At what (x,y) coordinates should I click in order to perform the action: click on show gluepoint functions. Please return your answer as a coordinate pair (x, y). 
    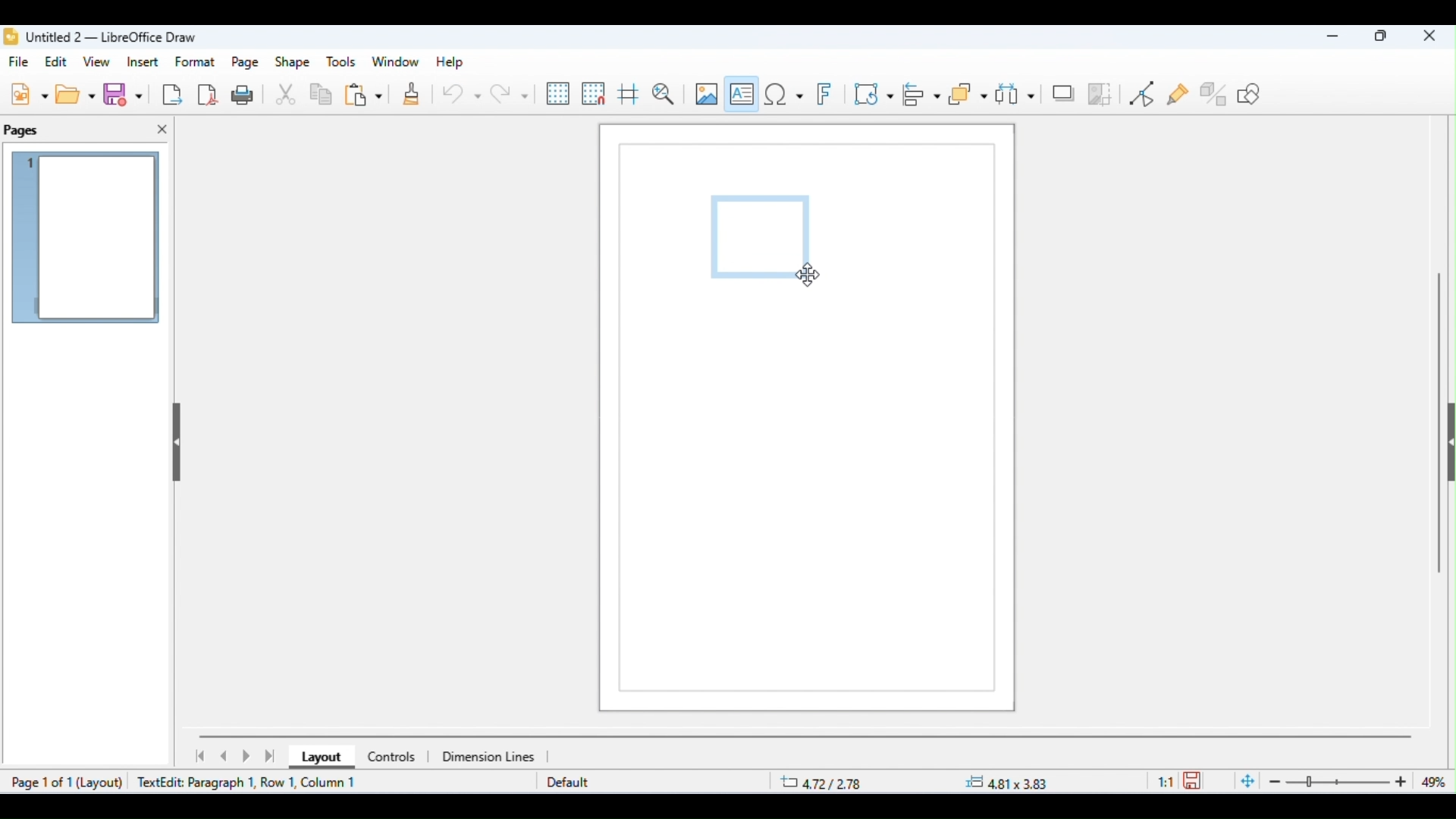
    Looking at the image, I should click on (1179, 96).